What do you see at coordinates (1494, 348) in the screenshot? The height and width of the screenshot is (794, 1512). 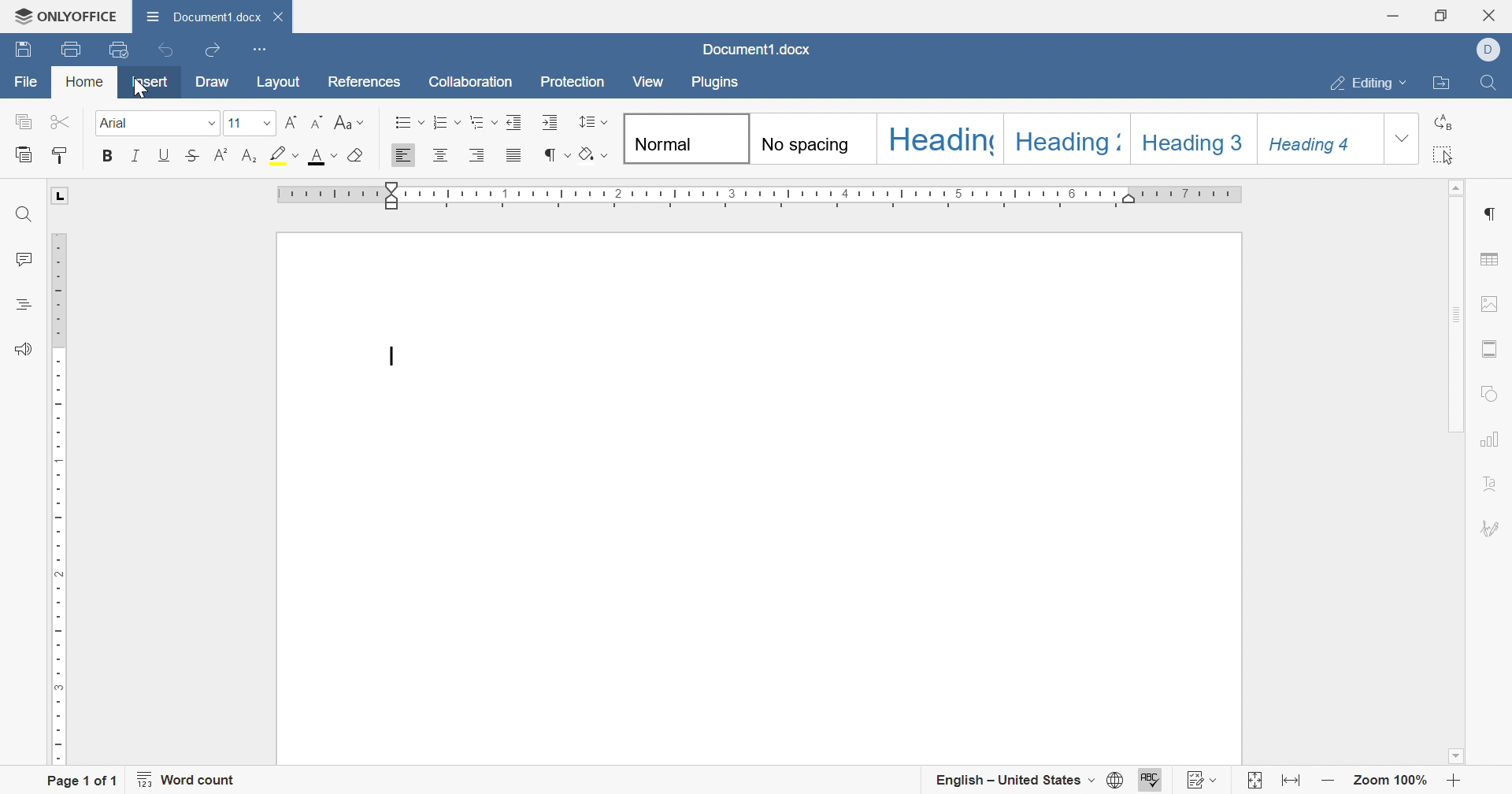 I see `Header & Footer settings` at bounding box center [1494, 348].